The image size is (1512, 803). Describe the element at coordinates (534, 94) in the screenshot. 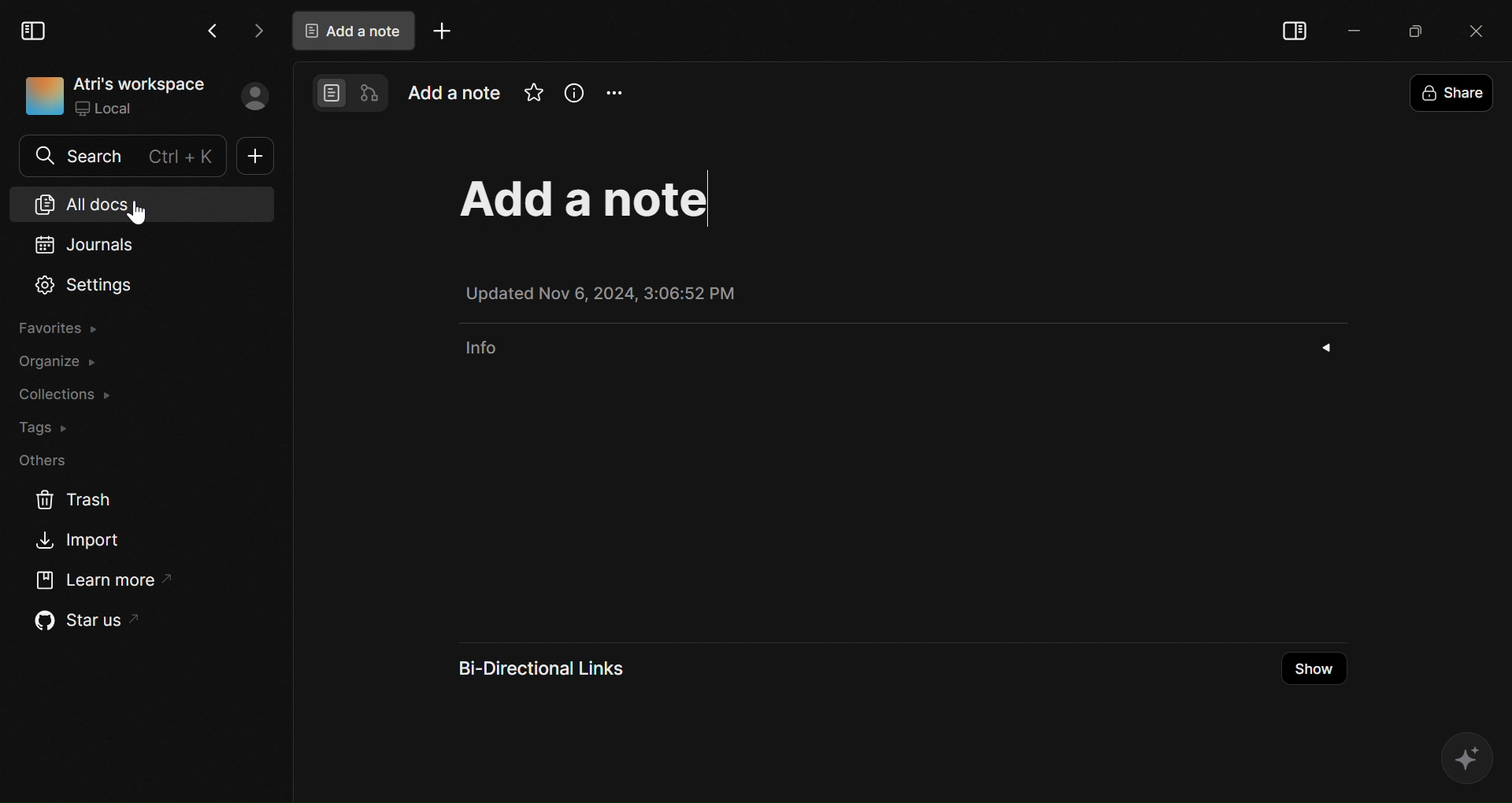

I see `Mark as favorite` at that location.